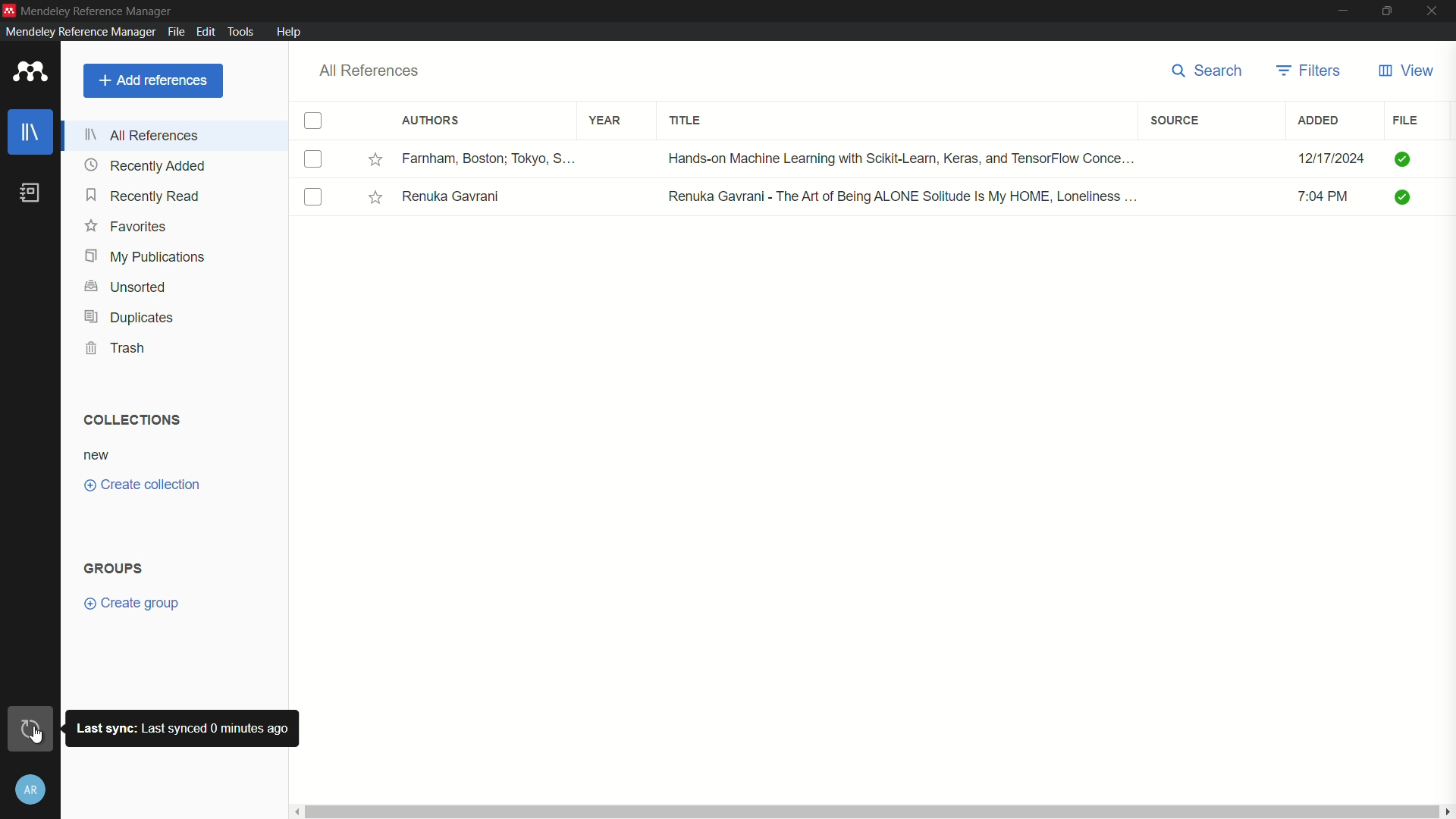  Describe the element at coordinates (372, 71) in the screenshot. I see `all references` at that location.